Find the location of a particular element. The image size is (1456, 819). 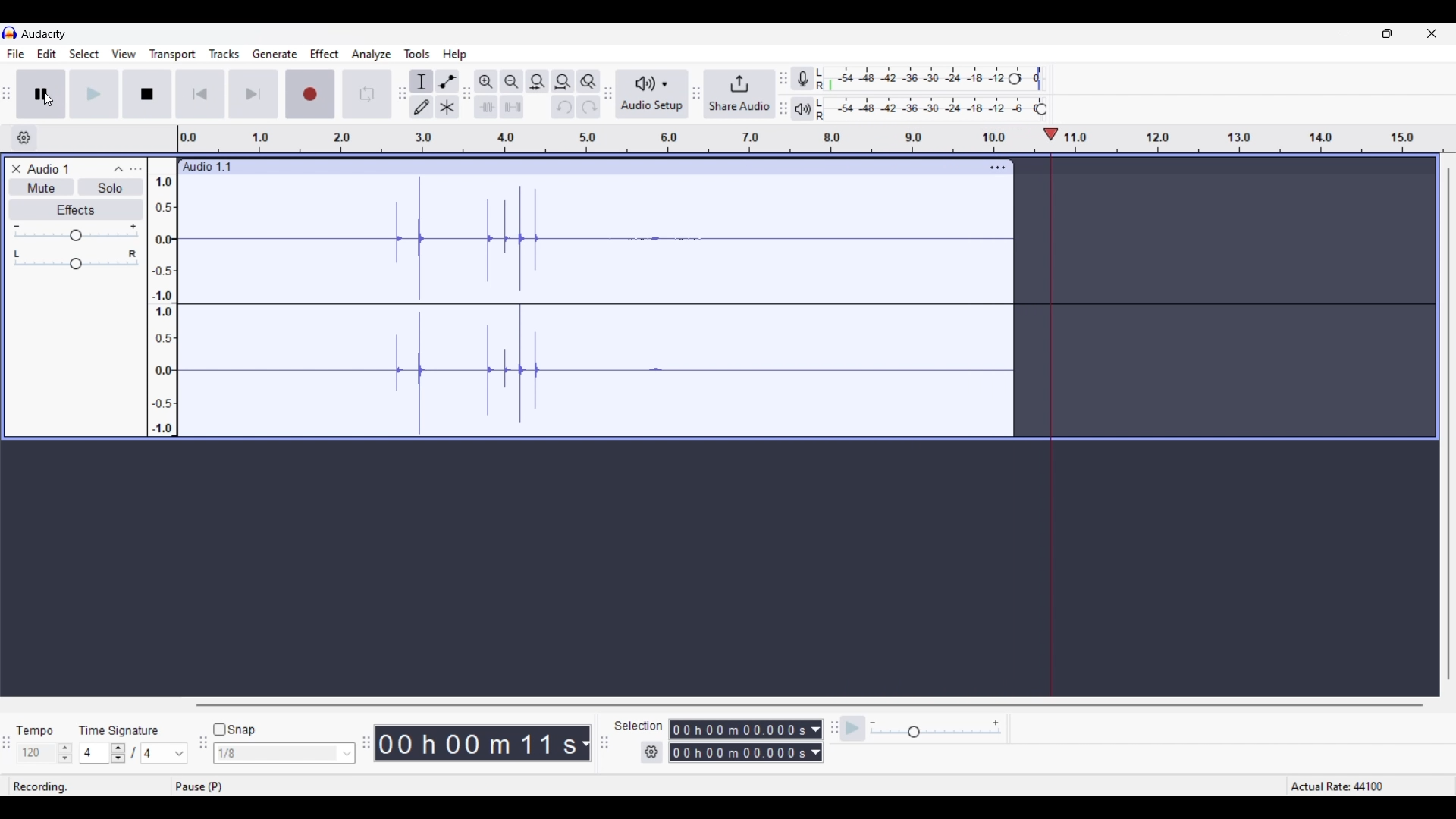

120 is located at coordinates (36, 754).